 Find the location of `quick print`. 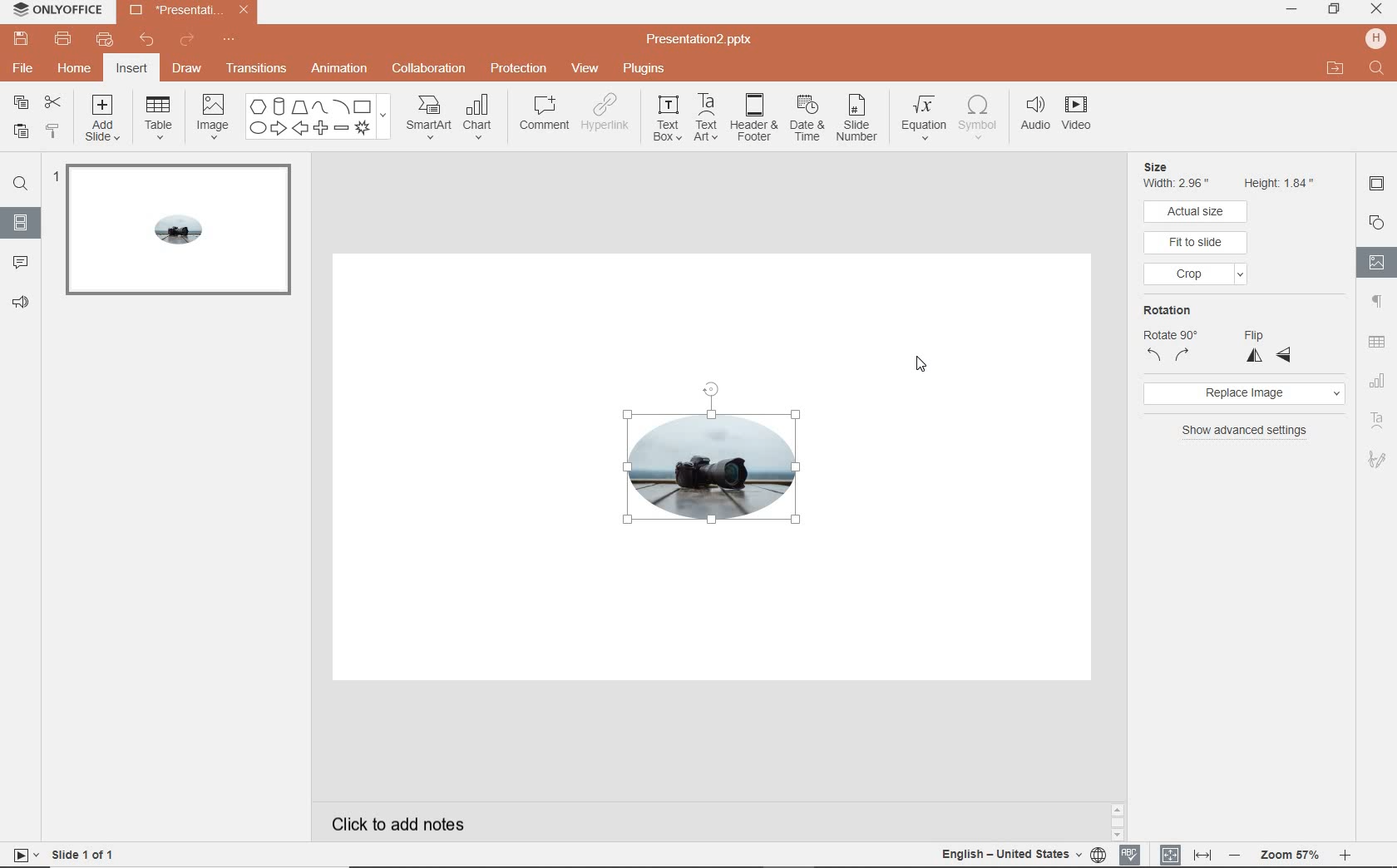

quick print is located at coordinates (106, 38).